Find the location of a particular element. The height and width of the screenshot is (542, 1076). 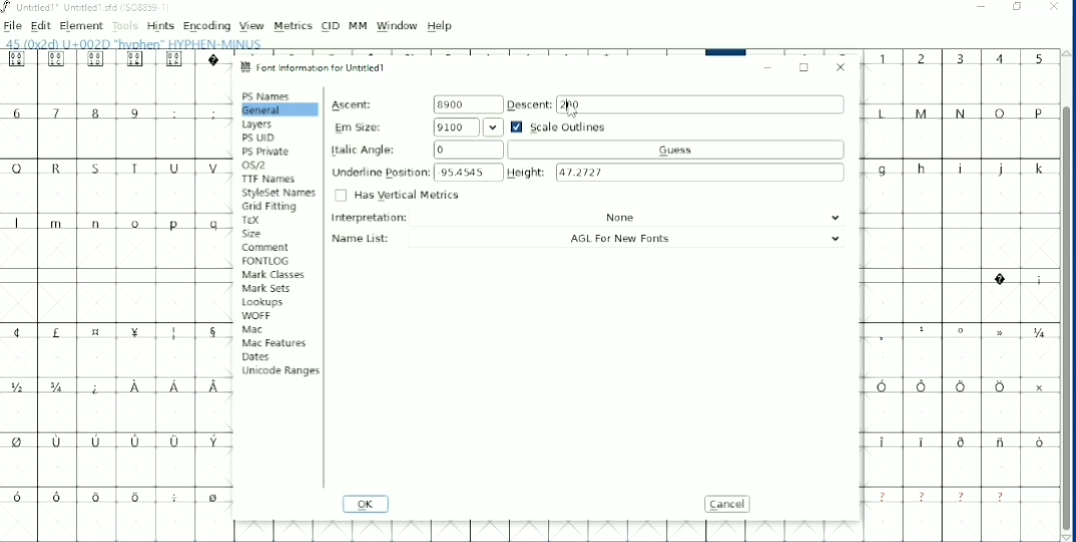

Italic Angle is located at coordinates (579, 149).